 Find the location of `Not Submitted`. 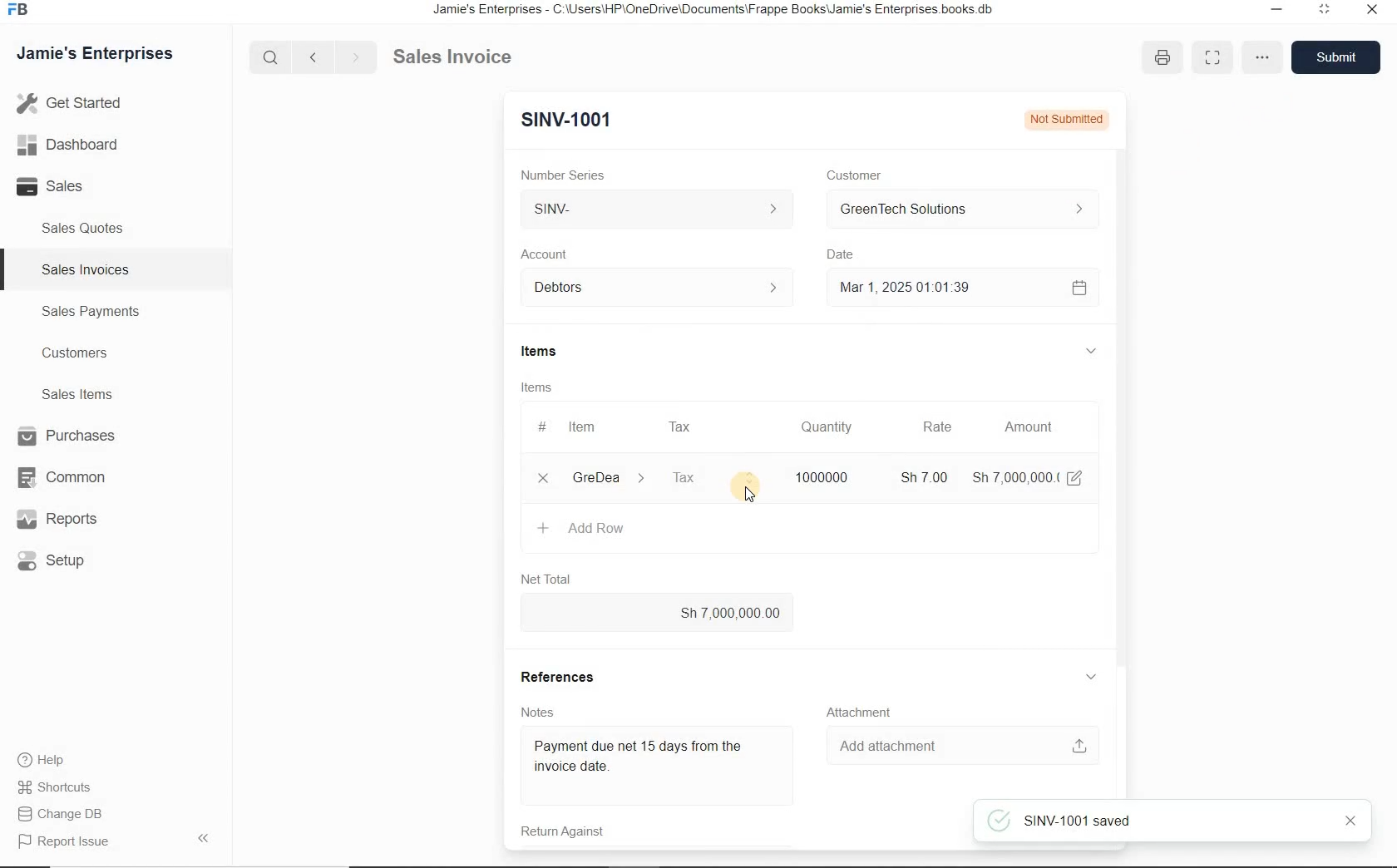

Not Submitted is located at coordinates (1064, 118).